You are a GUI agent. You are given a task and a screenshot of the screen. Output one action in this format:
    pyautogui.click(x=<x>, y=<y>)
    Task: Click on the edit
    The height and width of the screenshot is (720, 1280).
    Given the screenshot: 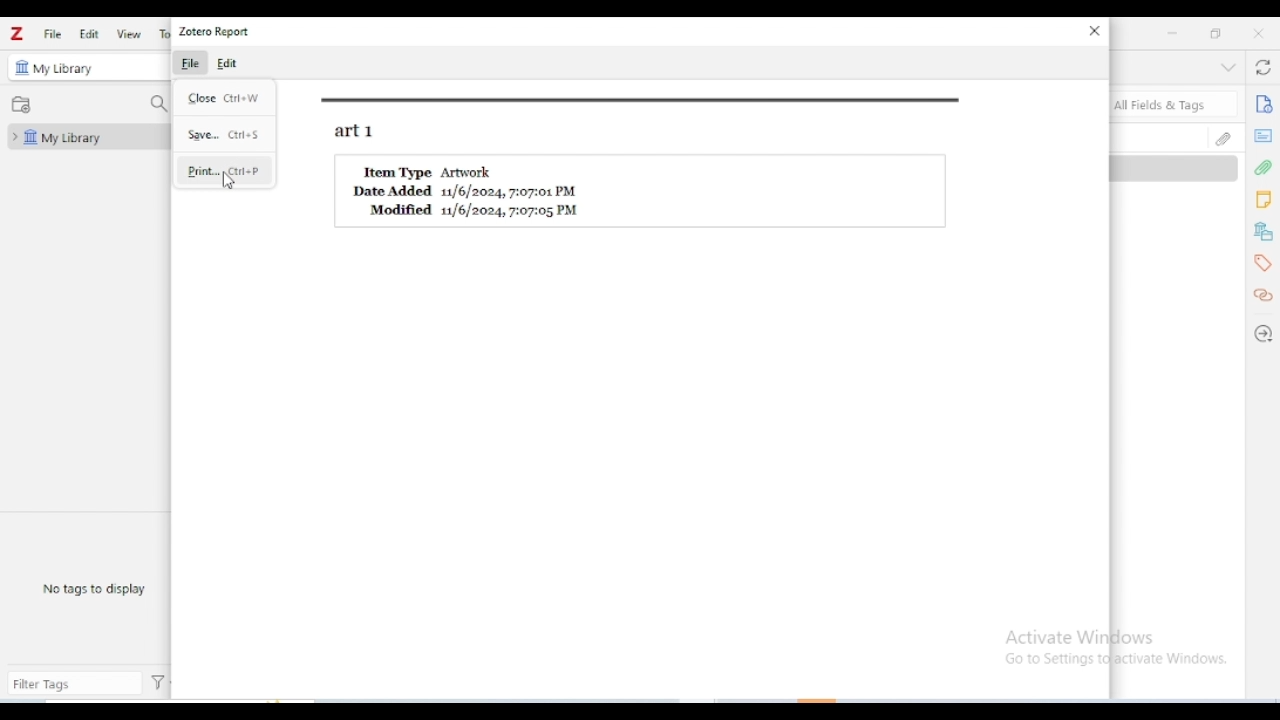 What is the action you would take?
    pyautogui.click(x=89, y=33)
    